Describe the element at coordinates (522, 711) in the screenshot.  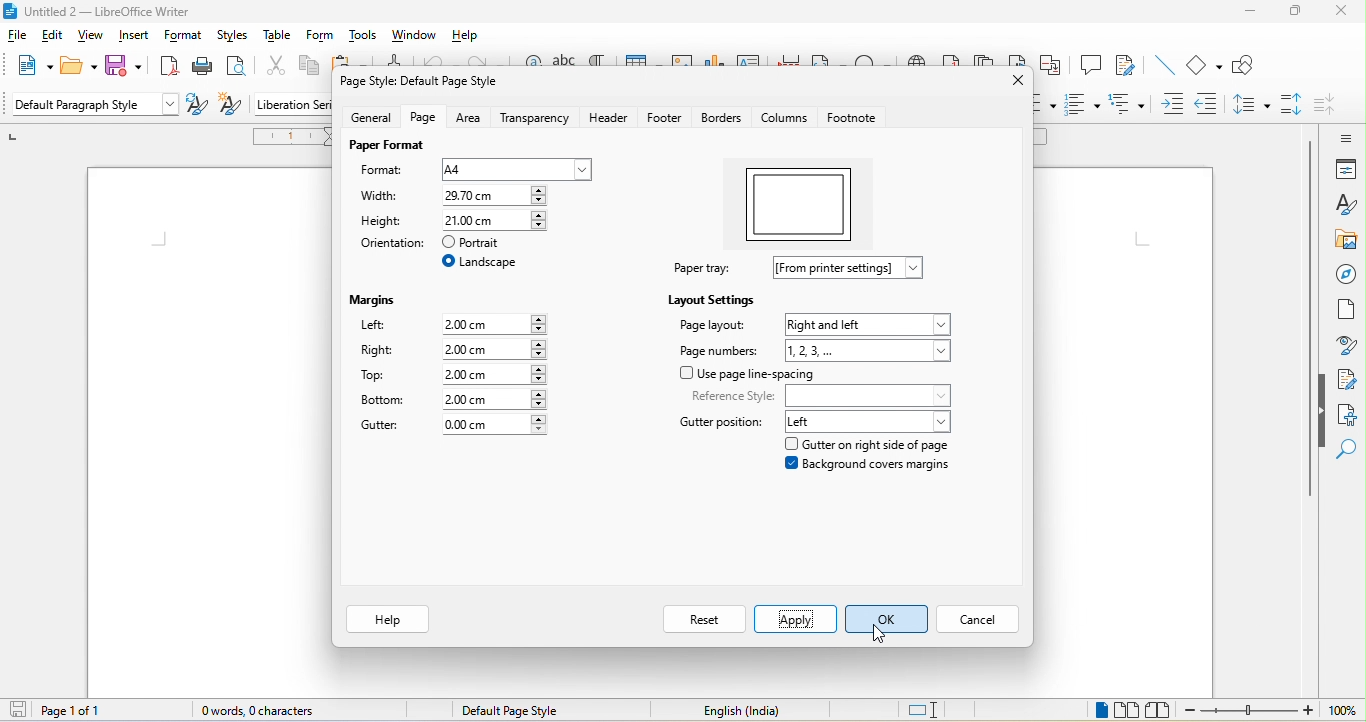
I see `default page style` at that location.